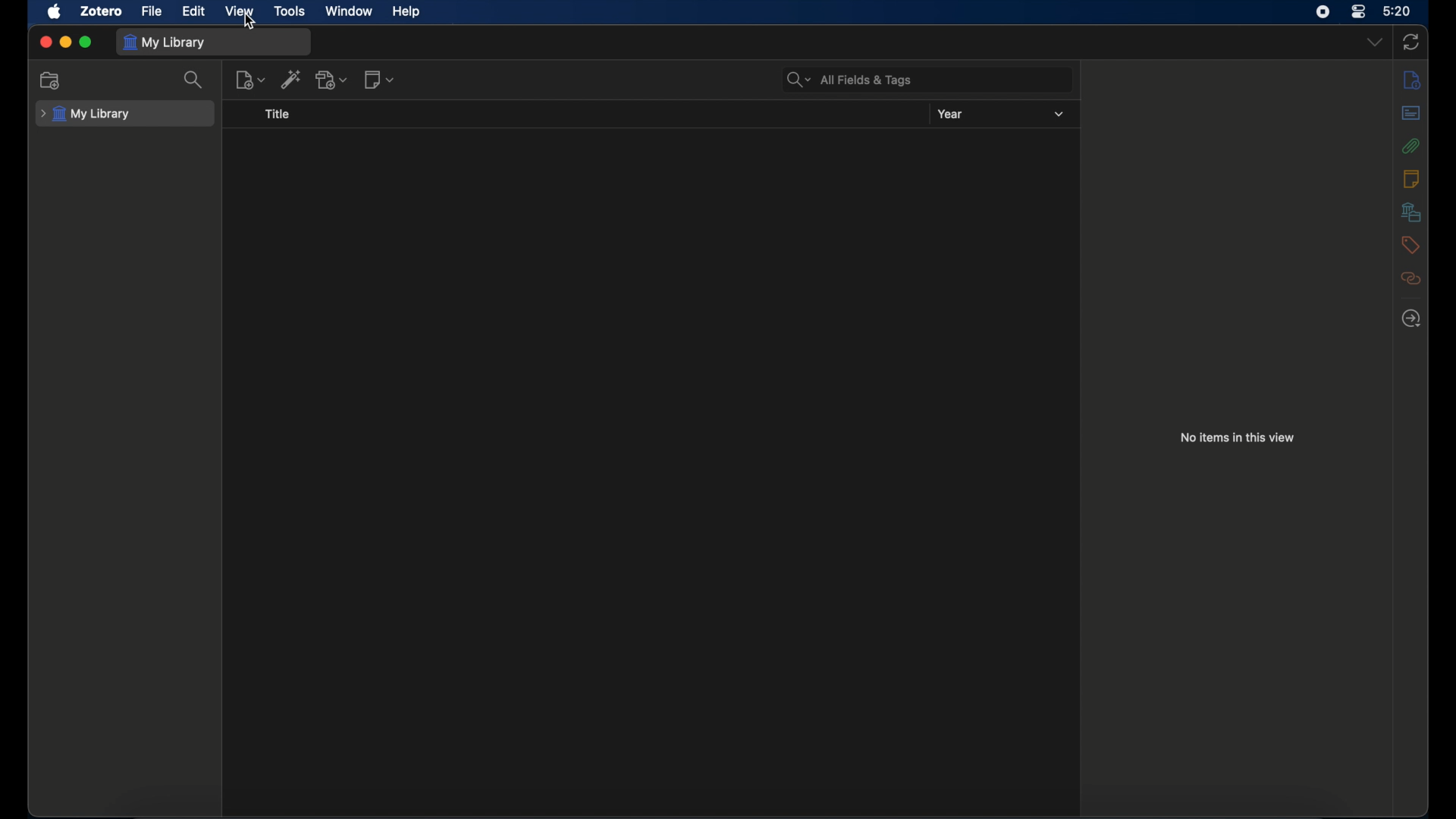 The height and width of the screenshot is (819, 1456). I want to click on year, so click(950, 114).